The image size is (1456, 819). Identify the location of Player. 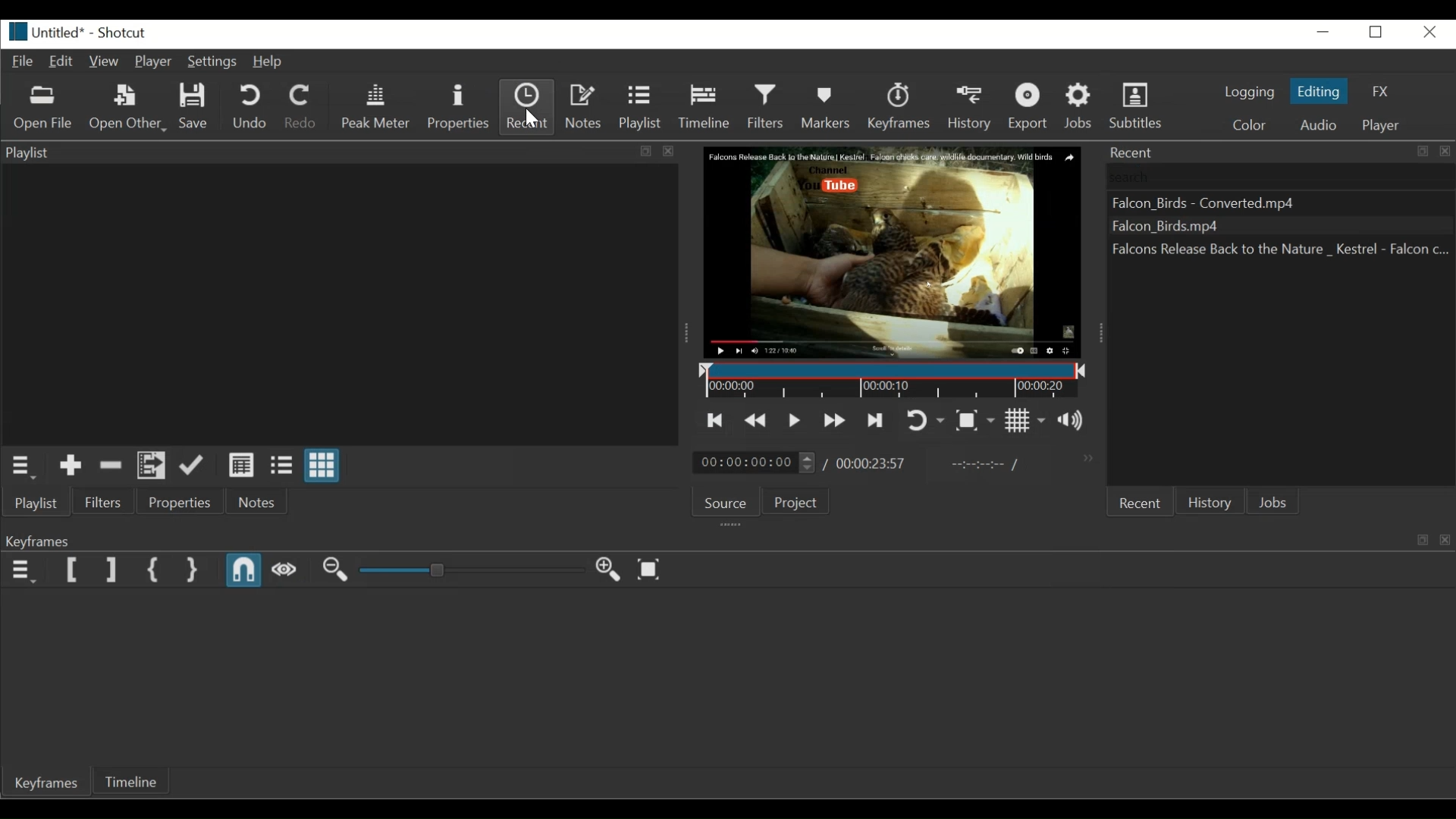
(151, 62).